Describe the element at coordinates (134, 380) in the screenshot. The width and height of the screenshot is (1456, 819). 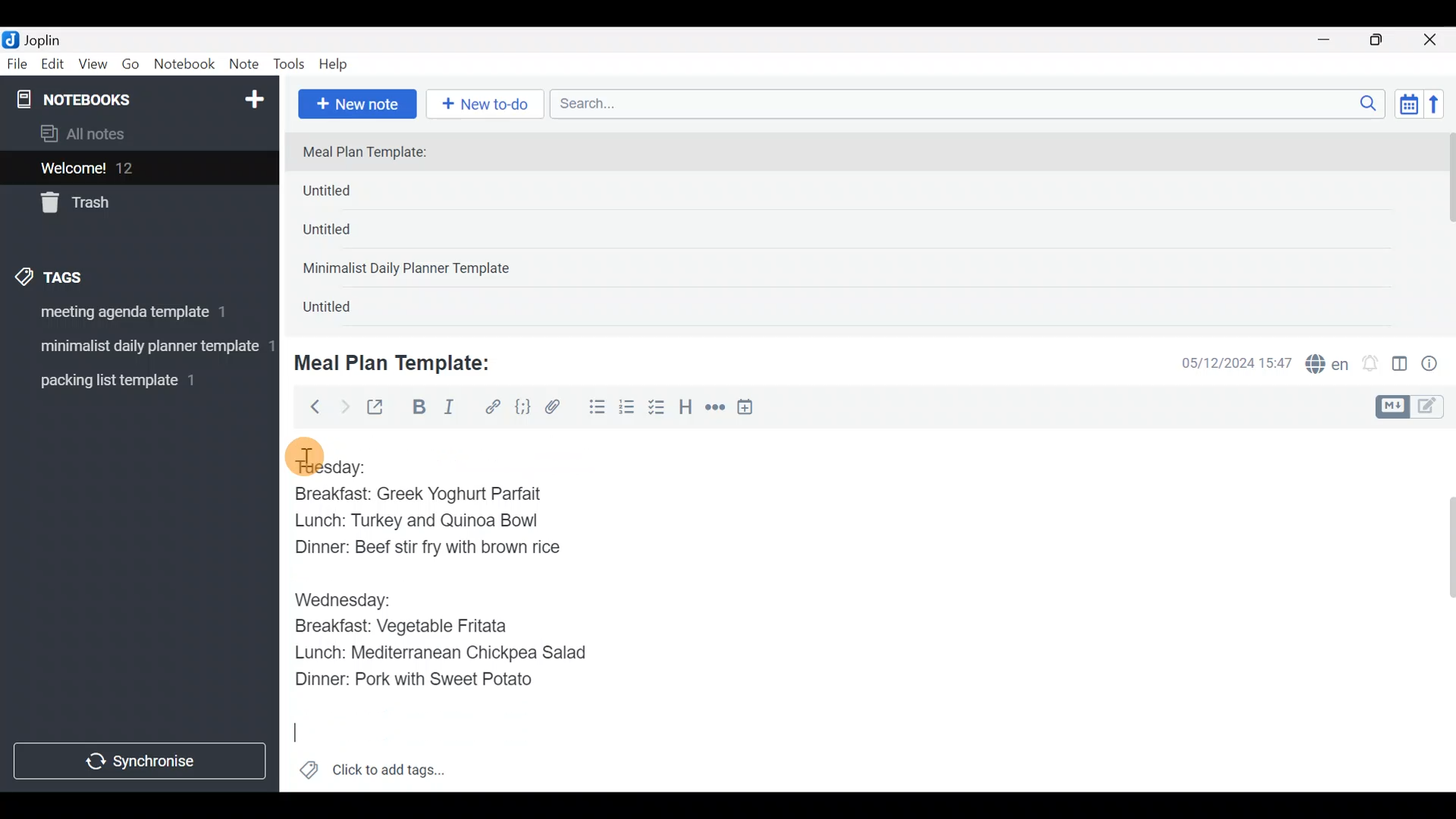
I see `Tag 3` at that location.